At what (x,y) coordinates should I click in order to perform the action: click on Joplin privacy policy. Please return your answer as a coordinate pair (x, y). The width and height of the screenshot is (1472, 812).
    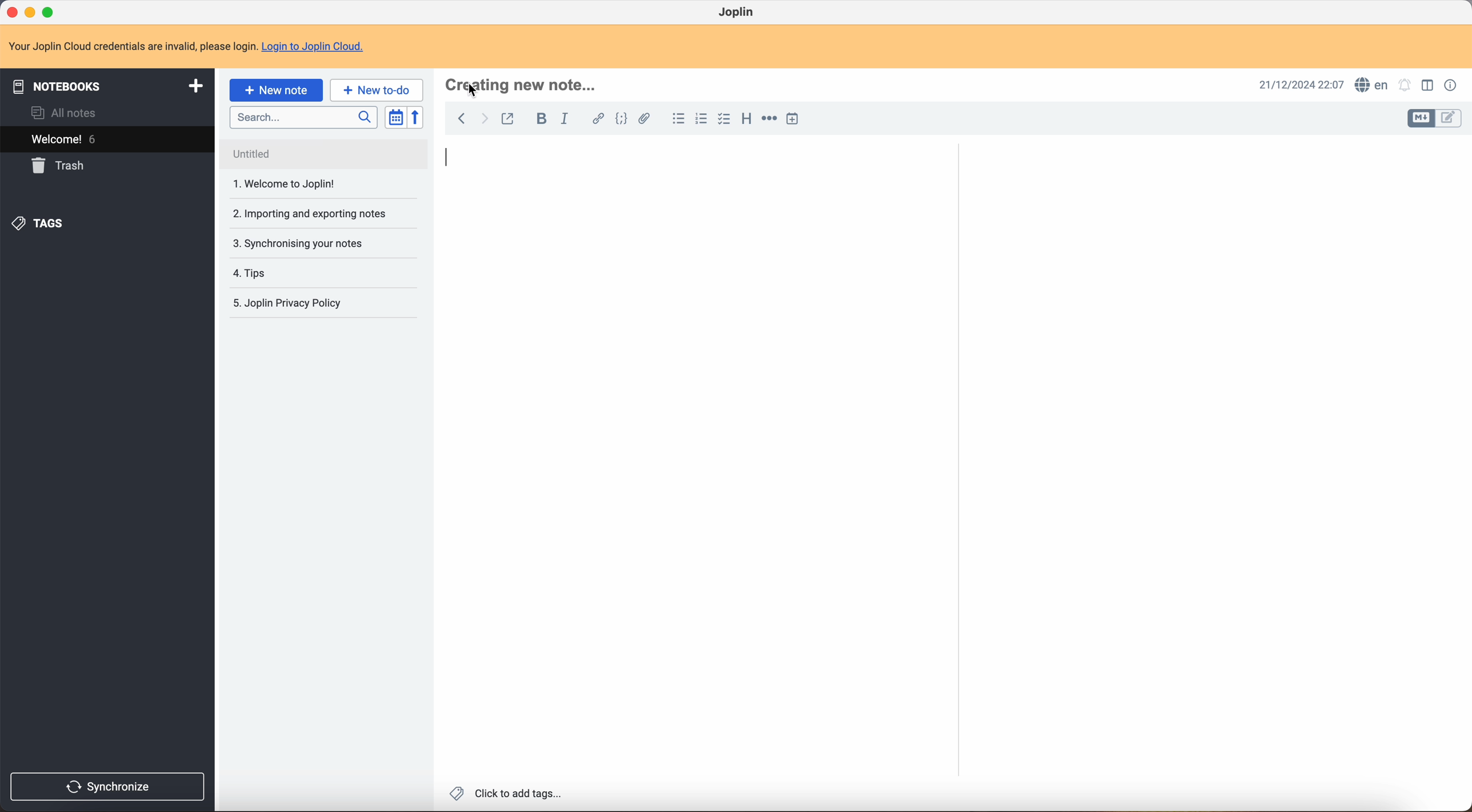
    Looking at the image, I should click on (291, 273).